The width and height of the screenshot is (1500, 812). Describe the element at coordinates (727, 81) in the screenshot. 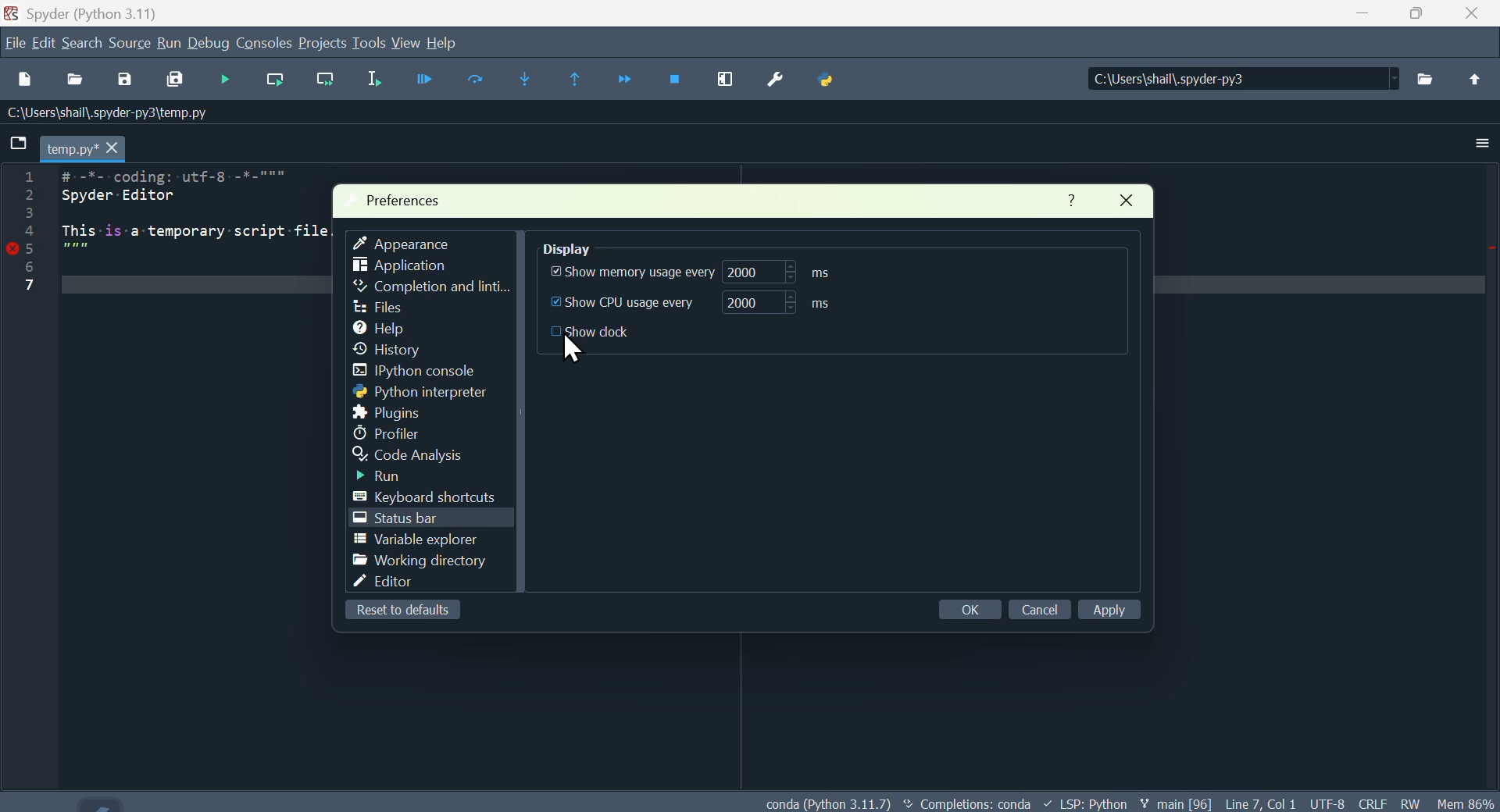

I see `Maximise current window` at that location.